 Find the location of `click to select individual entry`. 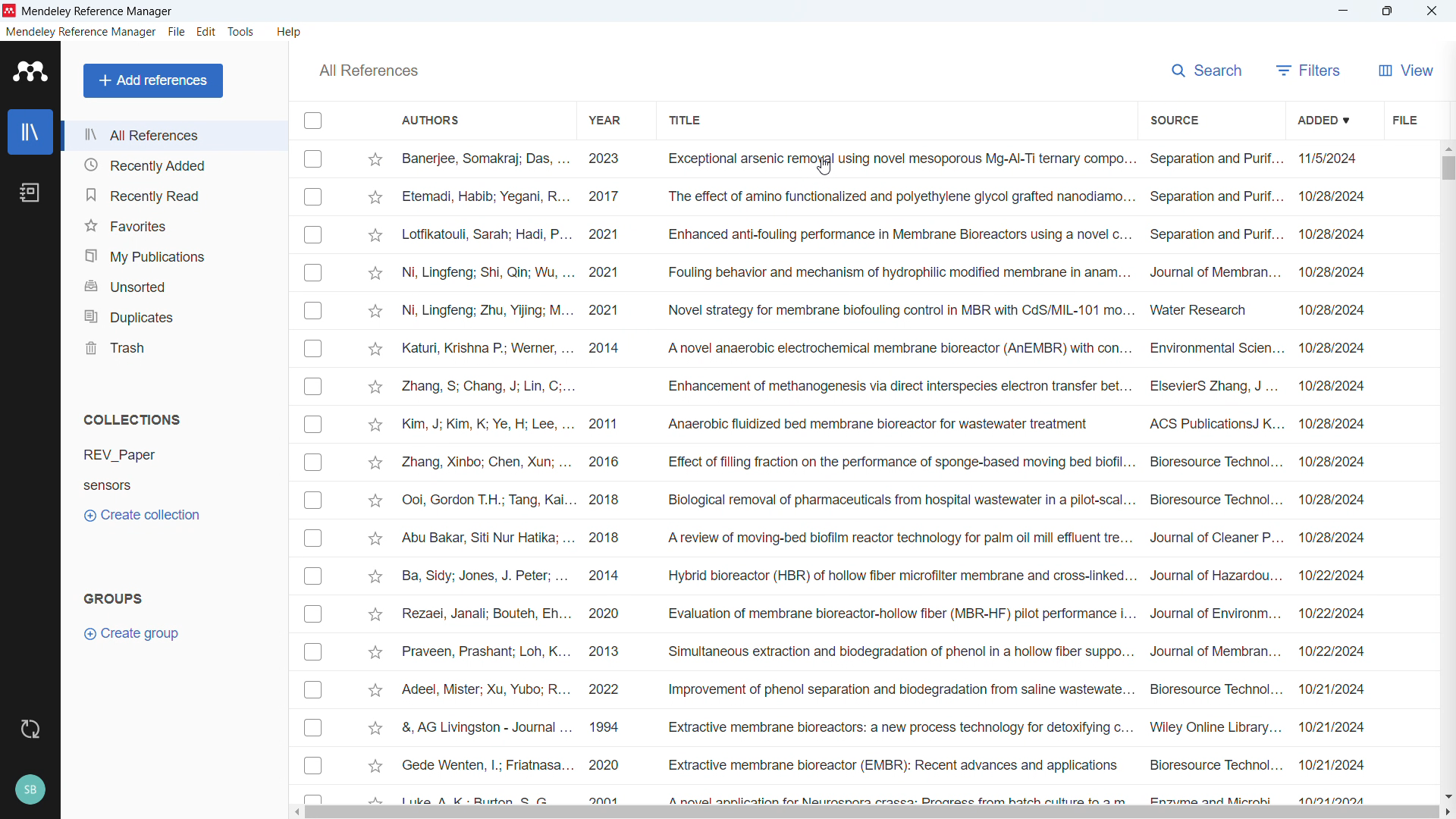

click to select individual entry is located at coordinates (311, 387).